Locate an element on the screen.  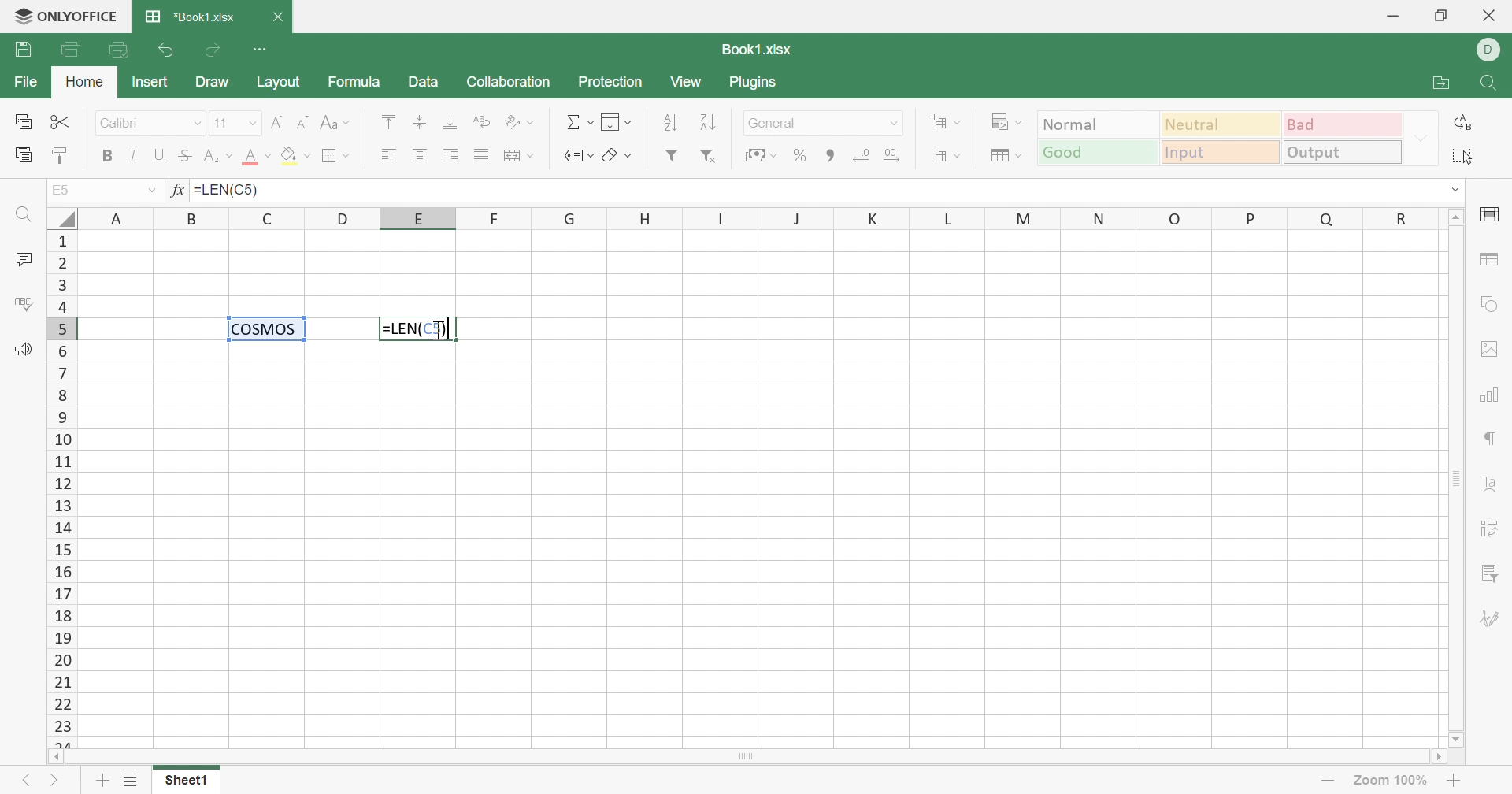
Data is located at coordinates (425, 82).